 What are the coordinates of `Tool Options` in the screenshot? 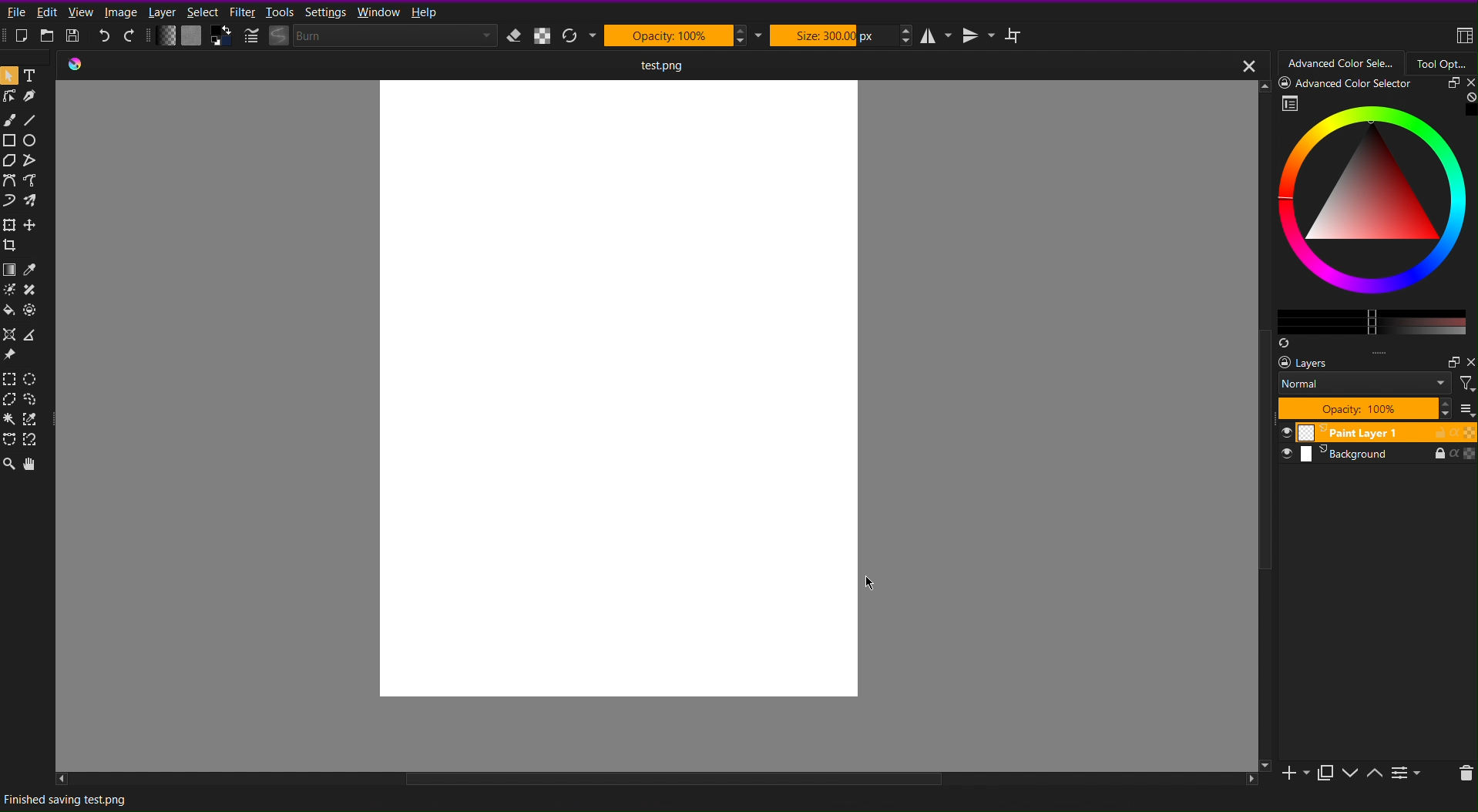 It's located at (1442, 63).